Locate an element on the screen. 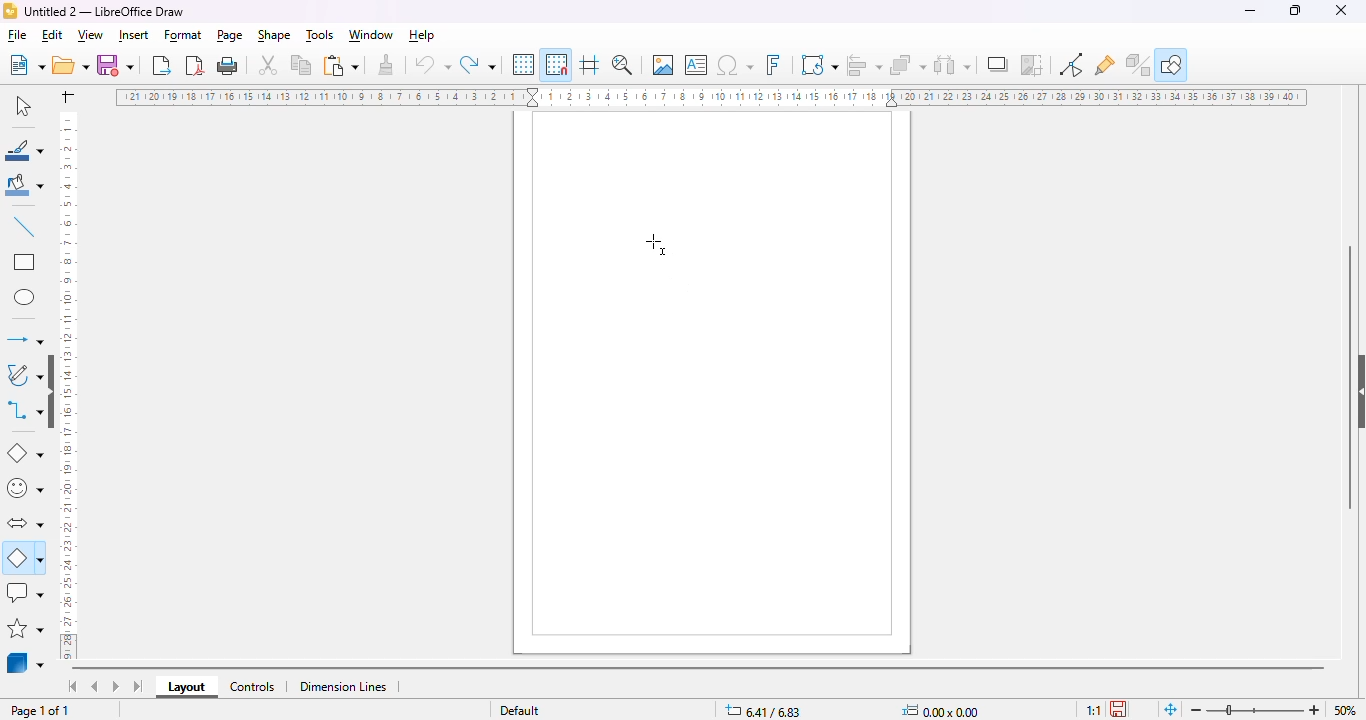 Image resolution: width=1366 pixels, height=720 pixels. scroll to first sheet is located at coordinates (73, 685).